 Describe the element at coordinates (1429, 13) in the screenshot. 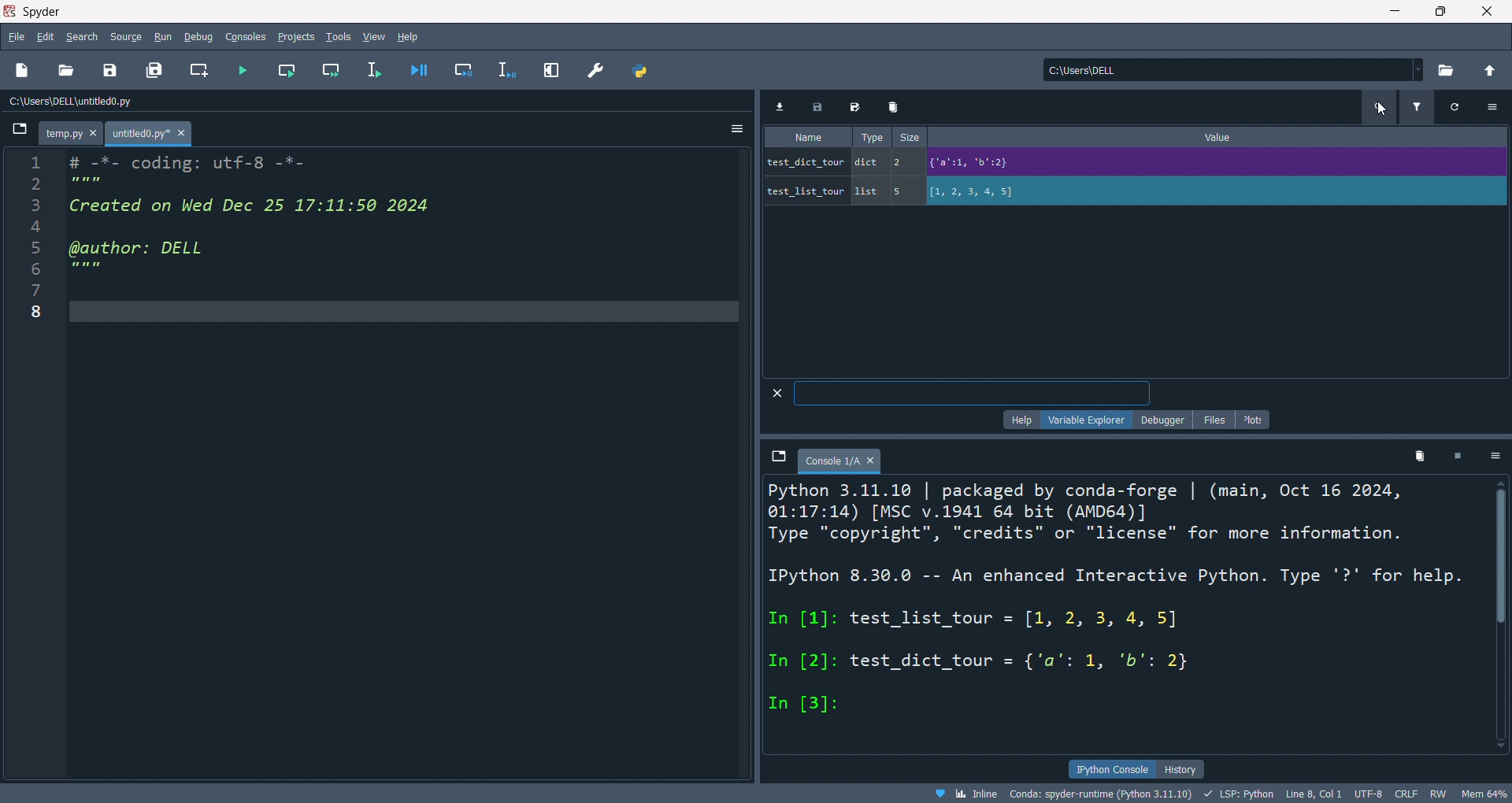

I see `maximize` at that location.